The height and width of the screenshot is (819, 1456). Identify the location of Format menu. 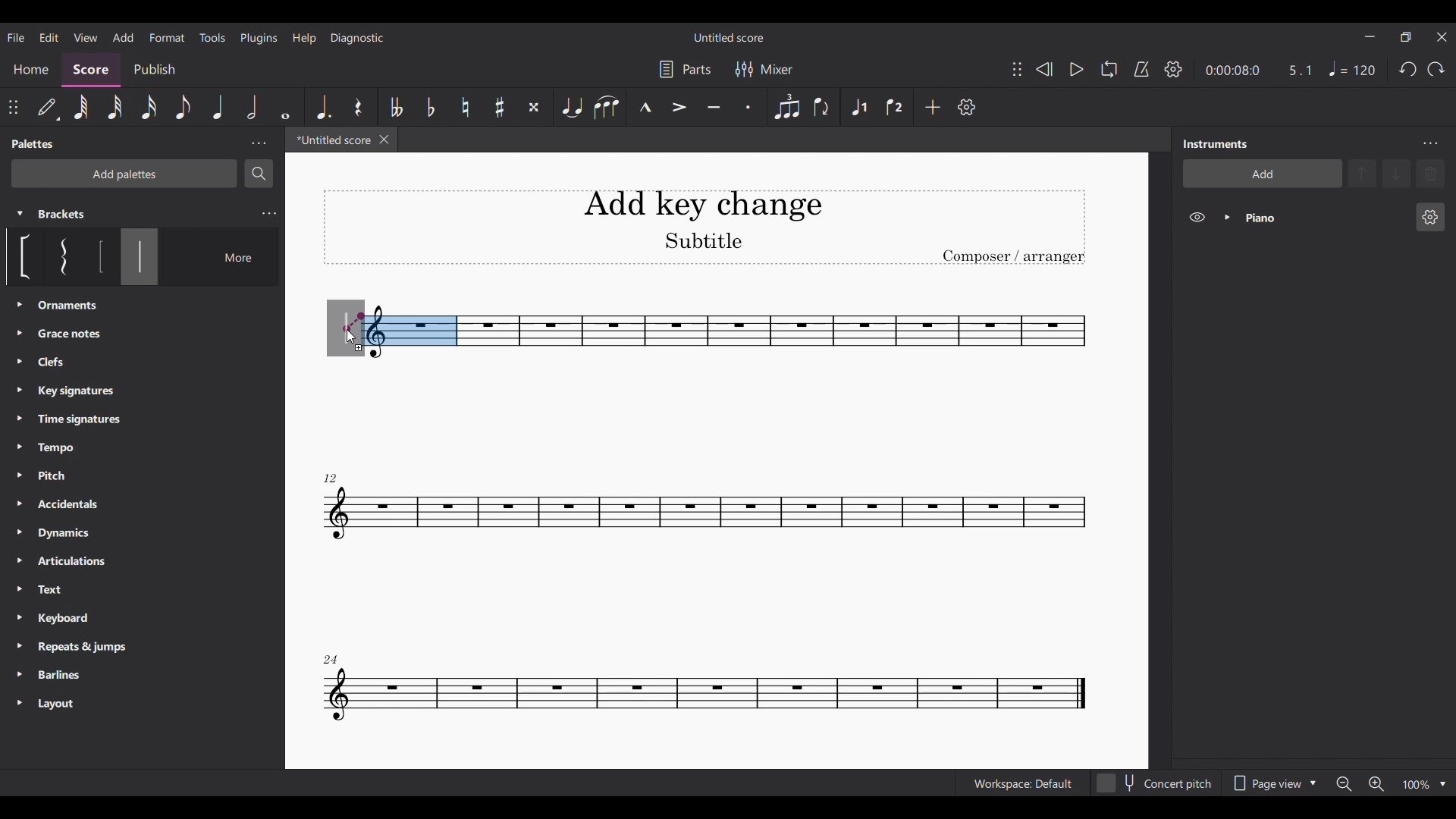
(167, 36).